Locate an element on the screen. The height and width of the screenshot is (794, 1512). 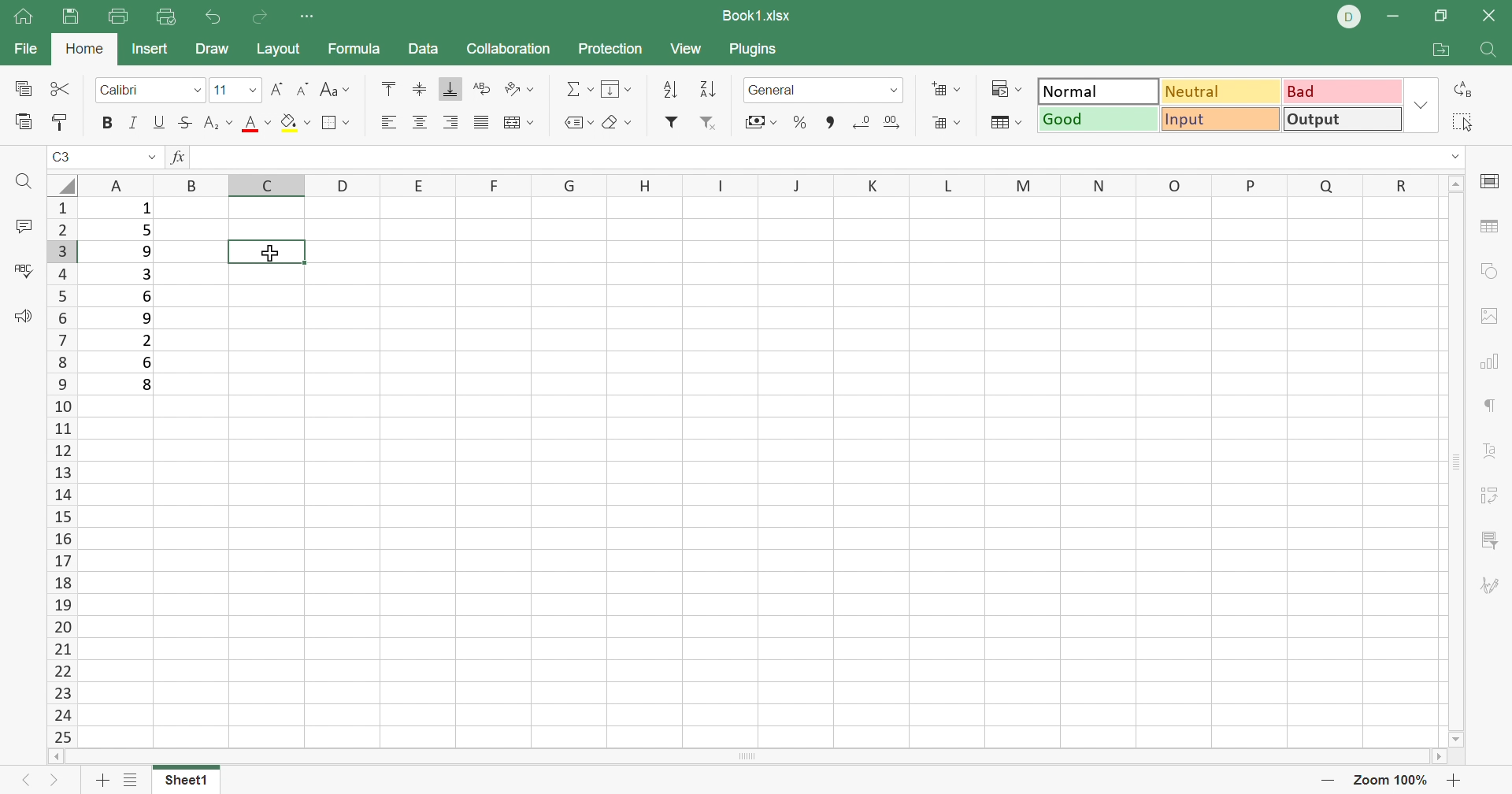
Accounting style is located at coordinates (759, 121).